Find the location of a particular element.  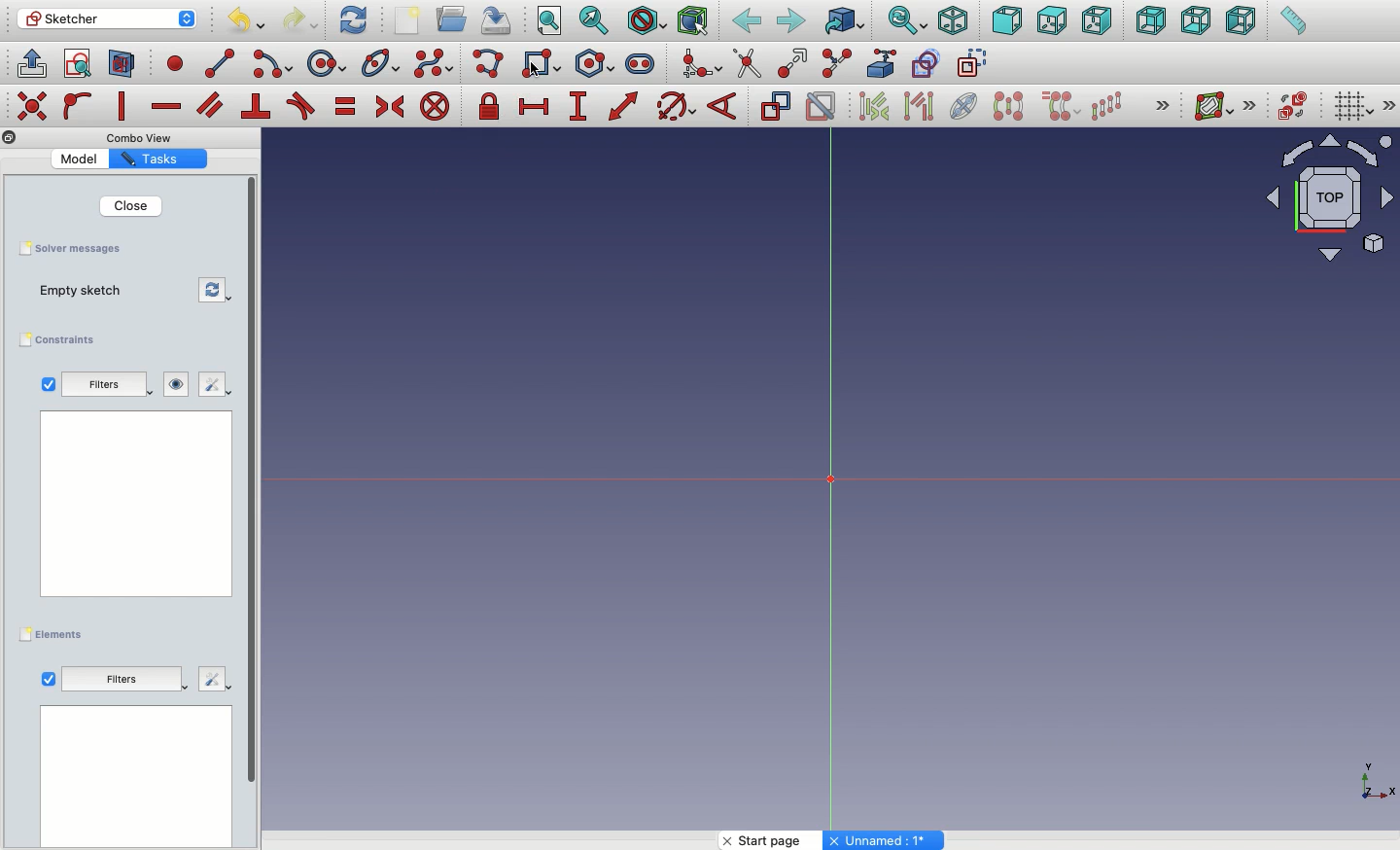

Sketcher - Workbench is located at coordinates (106, 18).